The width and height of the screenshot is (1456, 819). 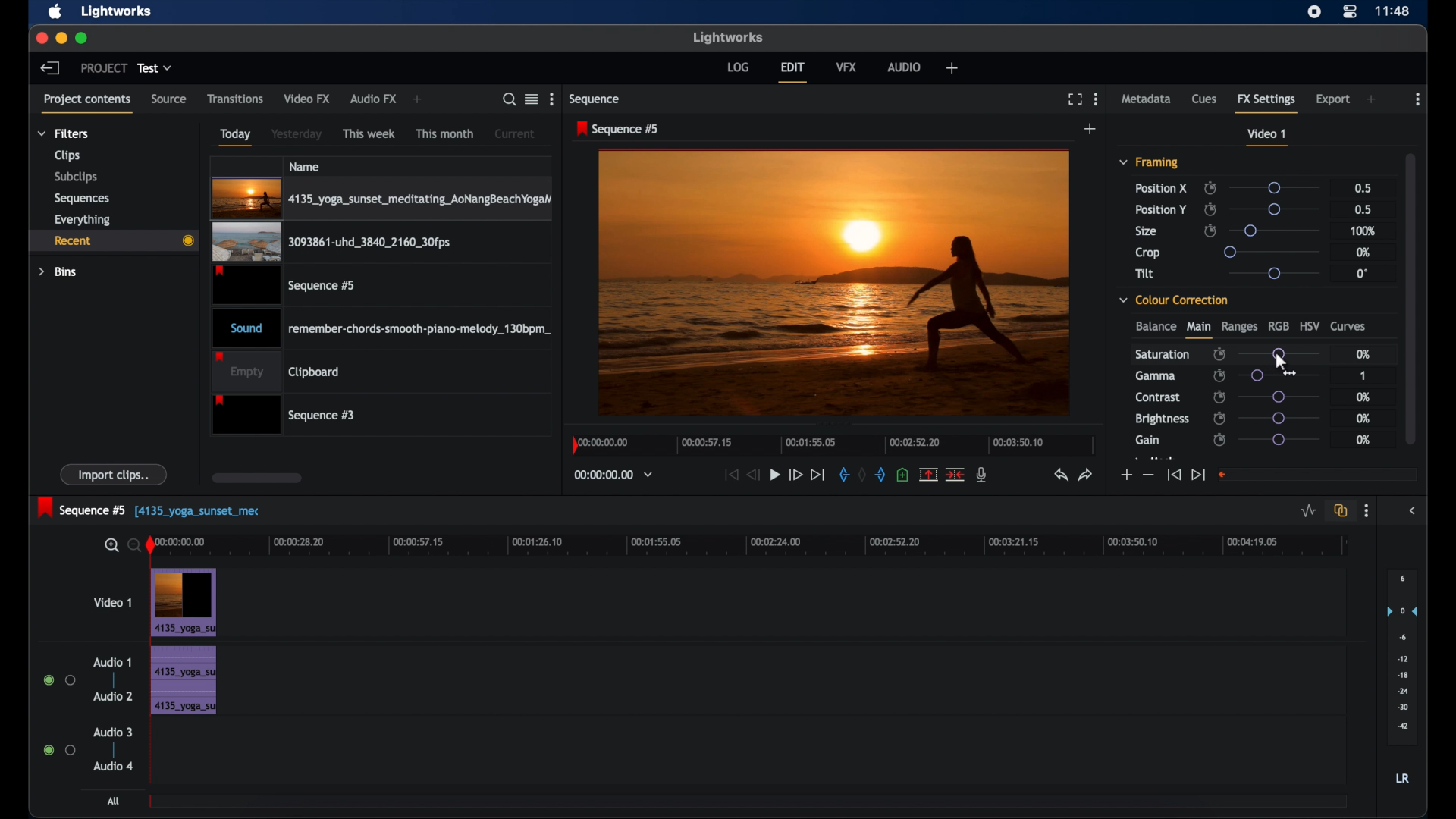 I want to click on control center, so click(x=1351, y=11).